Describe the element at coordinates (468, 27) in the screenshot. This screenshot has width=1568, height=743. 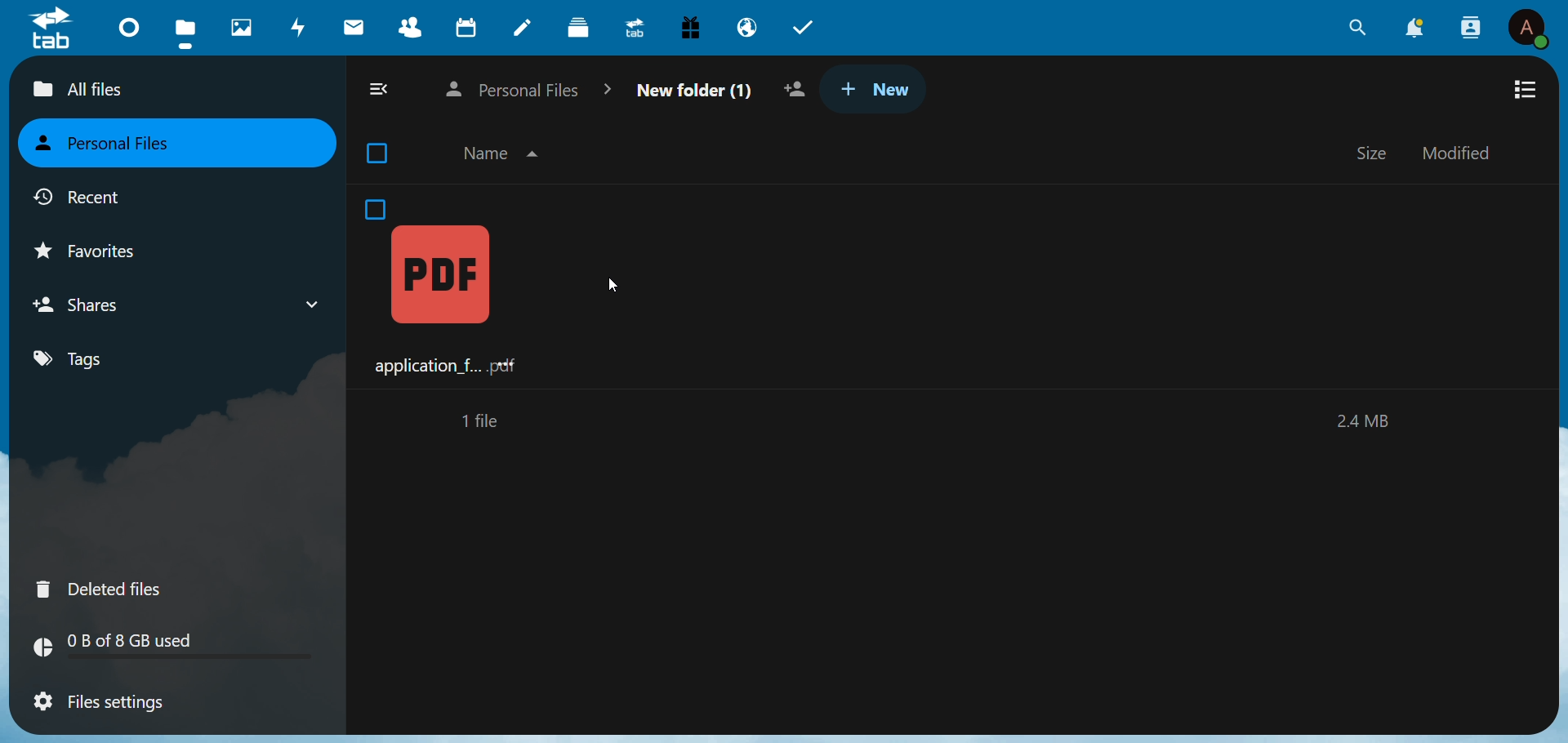
I see `calender` at that location.